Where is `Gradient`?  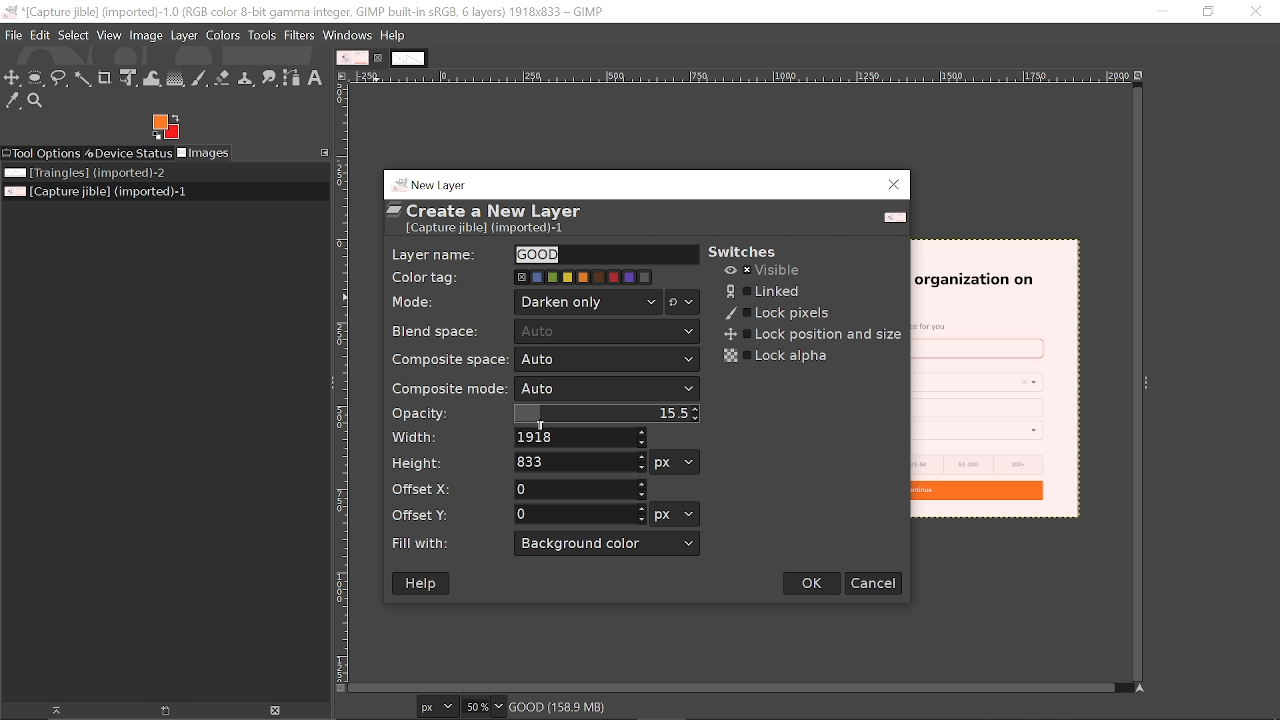
Gradient is located at coordinates (175, 78).